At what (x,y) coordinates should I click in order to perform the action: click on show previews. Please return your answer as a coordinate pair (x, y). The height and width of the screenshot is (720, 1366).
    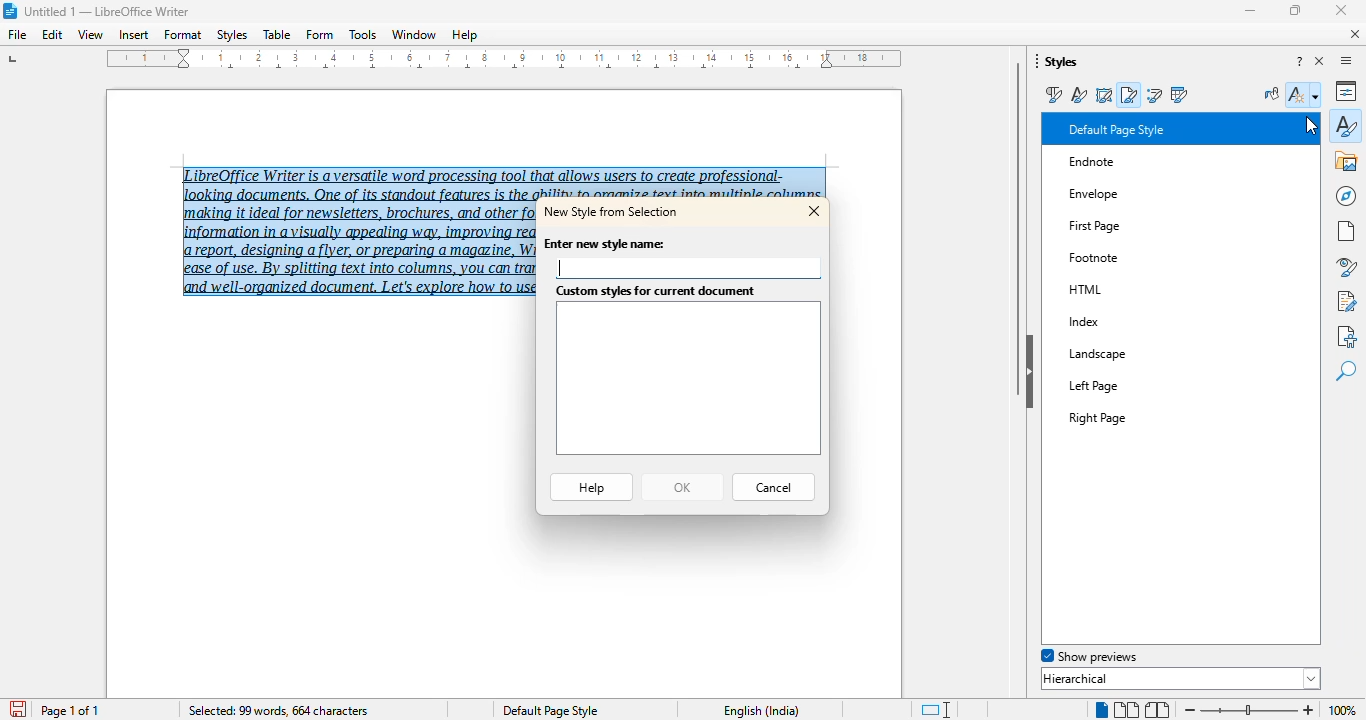
    Looking at the image, I should click on (1087, 656).